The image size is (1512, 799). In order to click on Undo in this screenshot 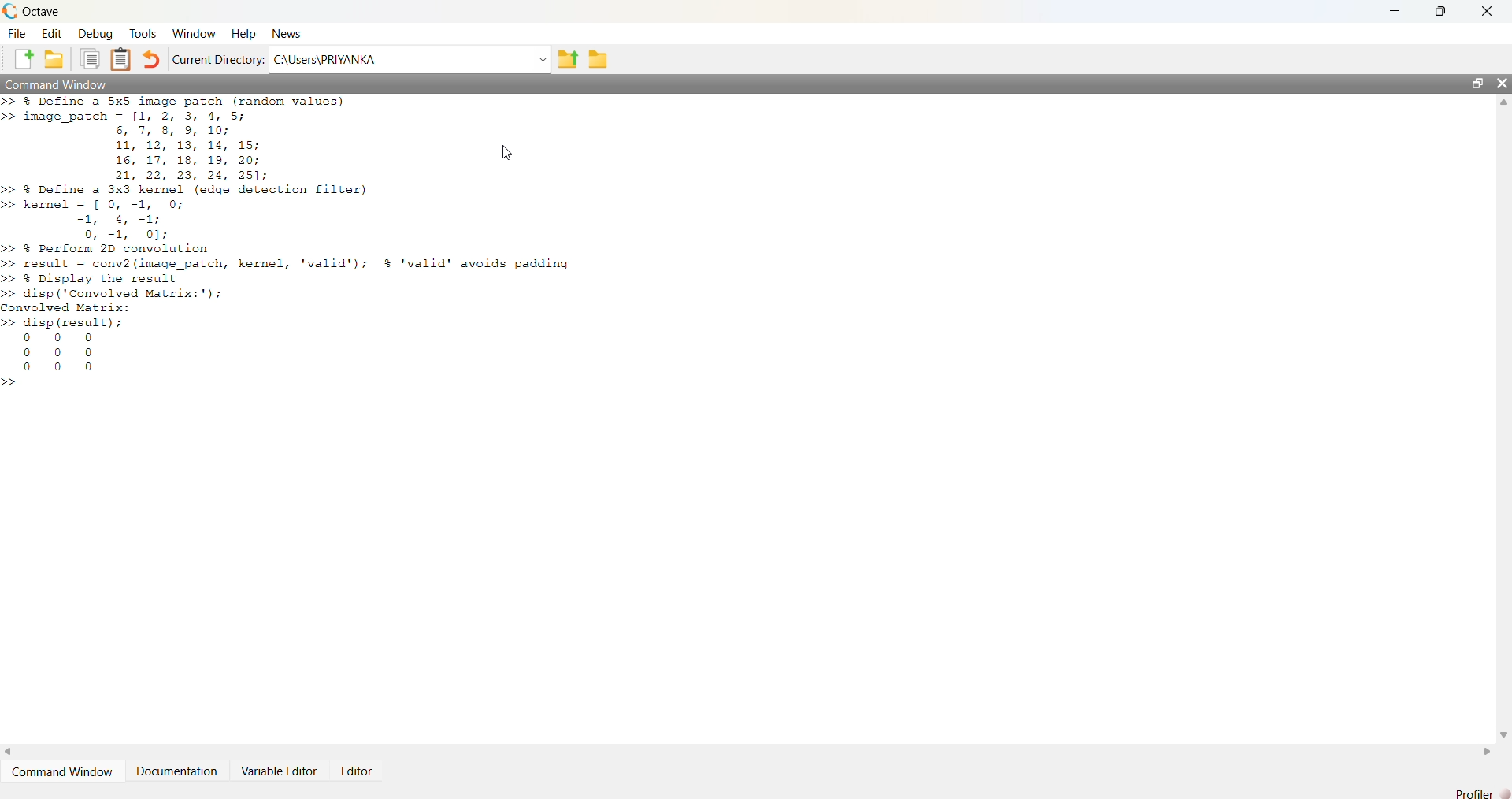, I will do `click(152, 58)`.